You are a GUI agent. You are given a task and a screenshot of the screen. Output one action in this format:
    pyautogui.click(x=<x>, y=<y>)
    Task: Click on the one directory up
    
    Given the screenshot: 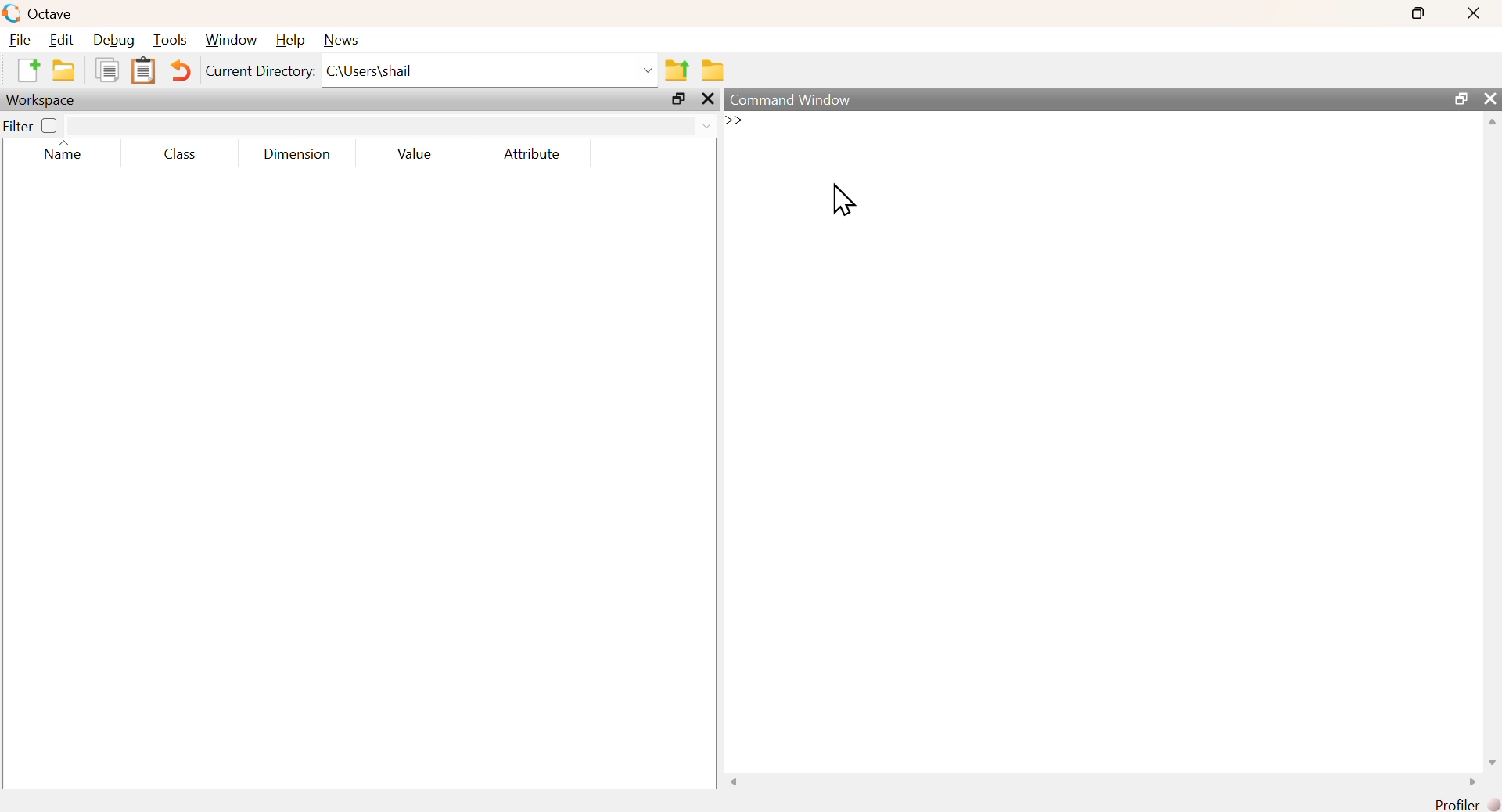 What is the action you would take?
    pyautogui.click(x=679, y=70)
    